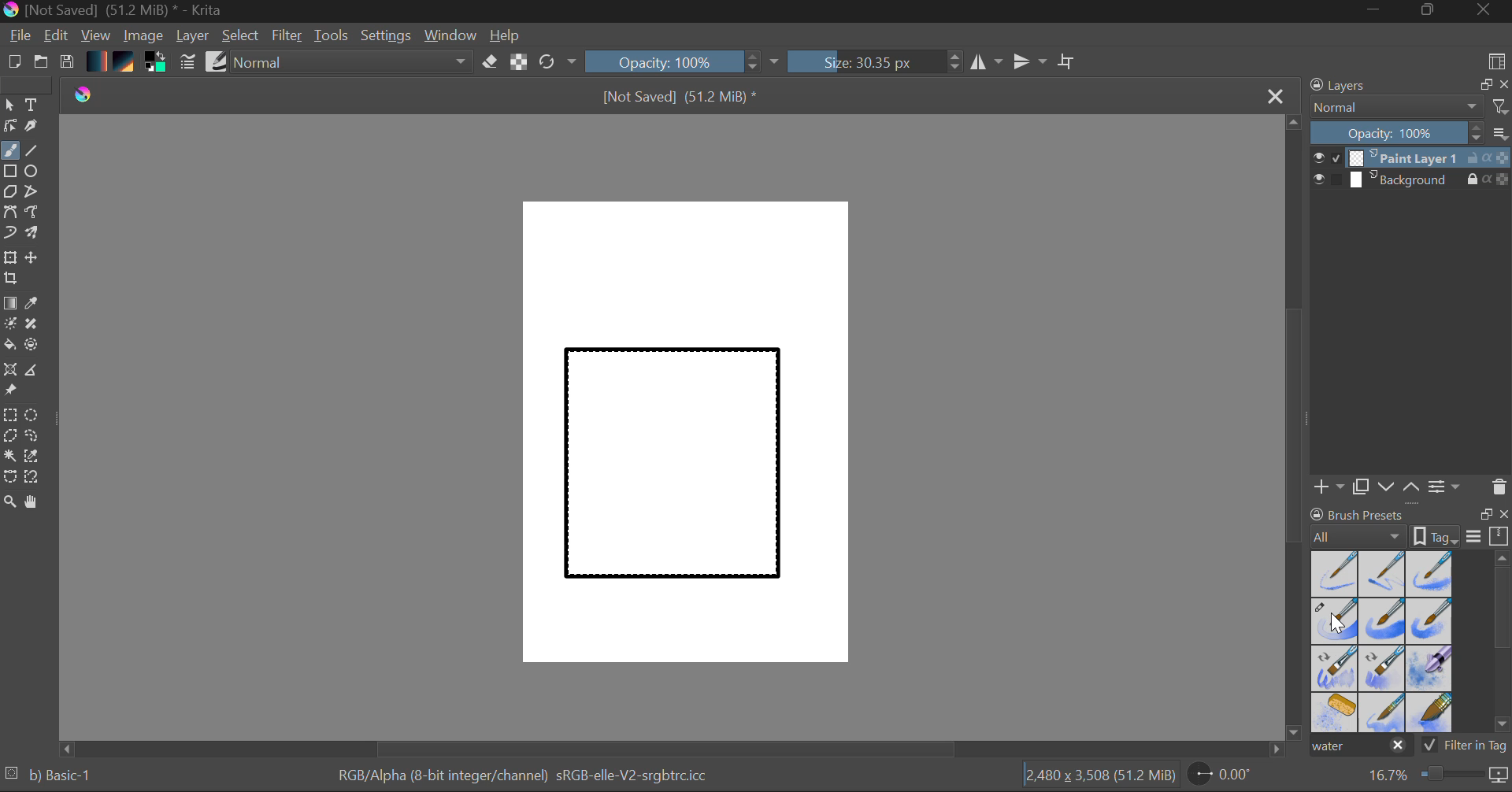 Image resolution: width=1512 pixels, height=792 pixels. What do you see at coordinates (9, 233) in the screenshot?
I see `Dynamic Brush` at bounding box center [9, 233].